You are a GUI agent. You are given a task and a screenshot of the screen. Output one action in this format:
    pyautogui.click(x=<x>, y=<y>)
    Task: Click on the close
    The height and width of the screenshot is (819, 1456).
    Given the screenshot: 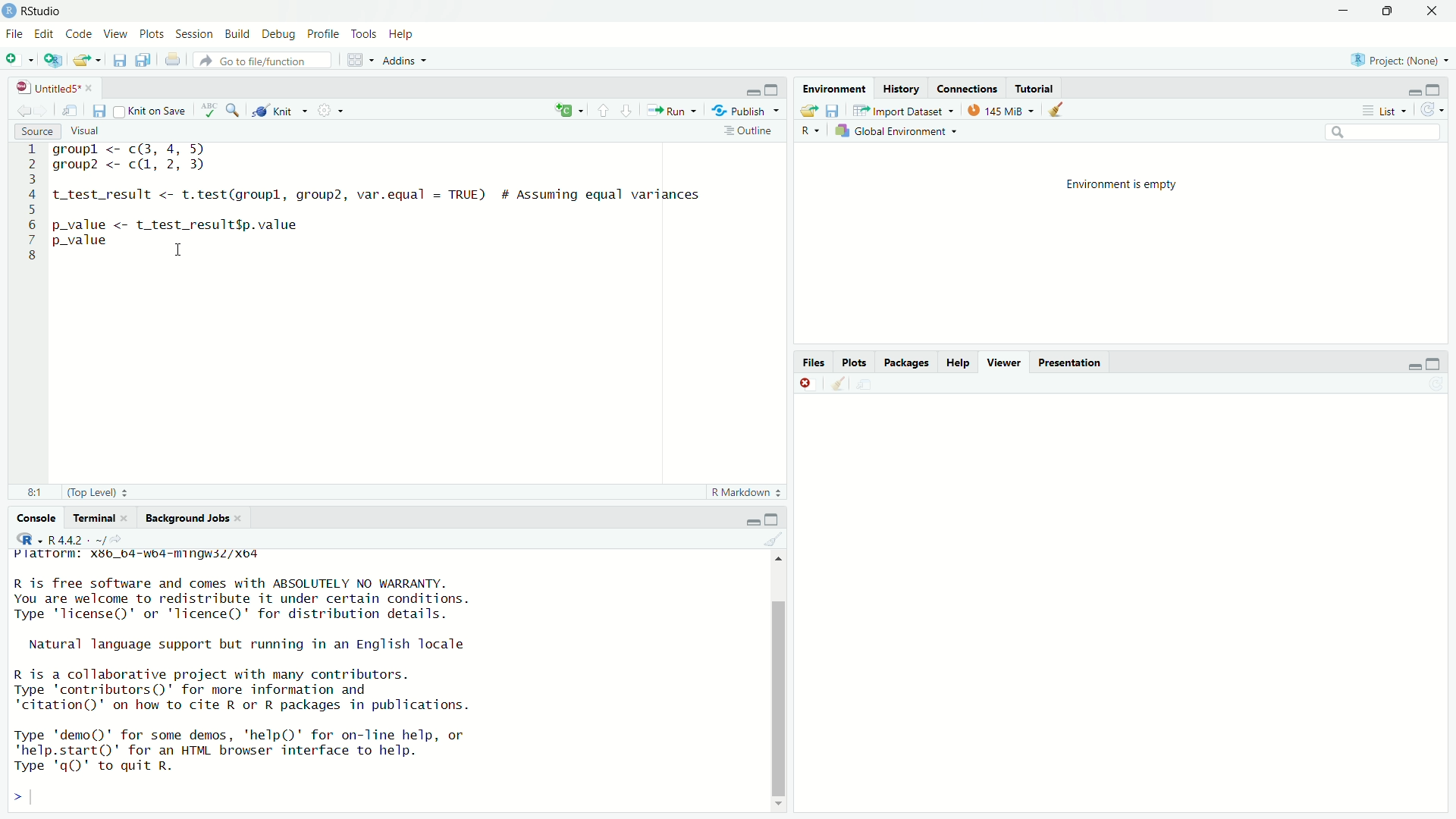 What is the action you would take?
    pyautogui.click(x=807, y=383)
    